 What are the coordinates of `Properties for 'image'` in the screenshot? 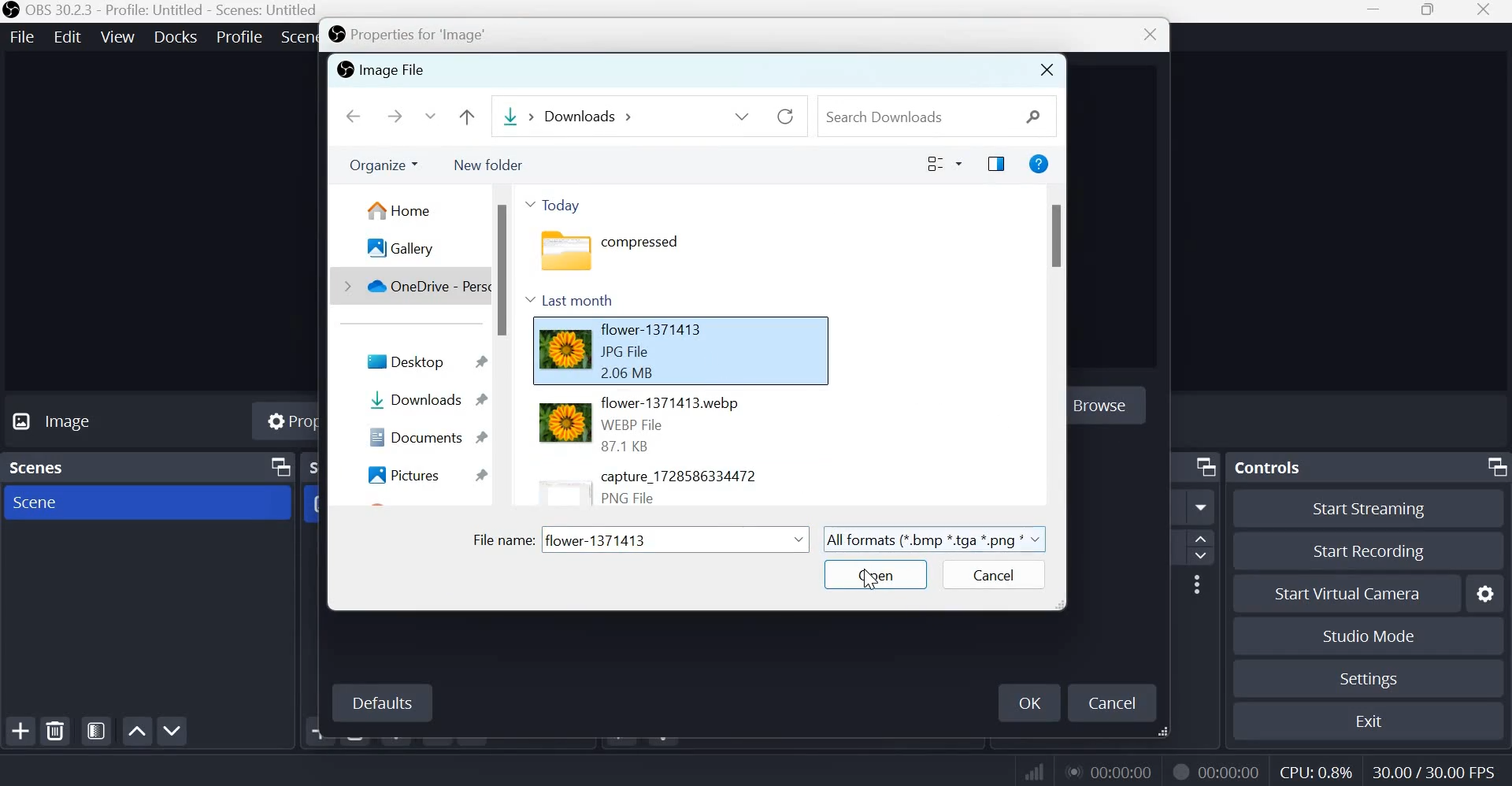 It's located at (421, 35).